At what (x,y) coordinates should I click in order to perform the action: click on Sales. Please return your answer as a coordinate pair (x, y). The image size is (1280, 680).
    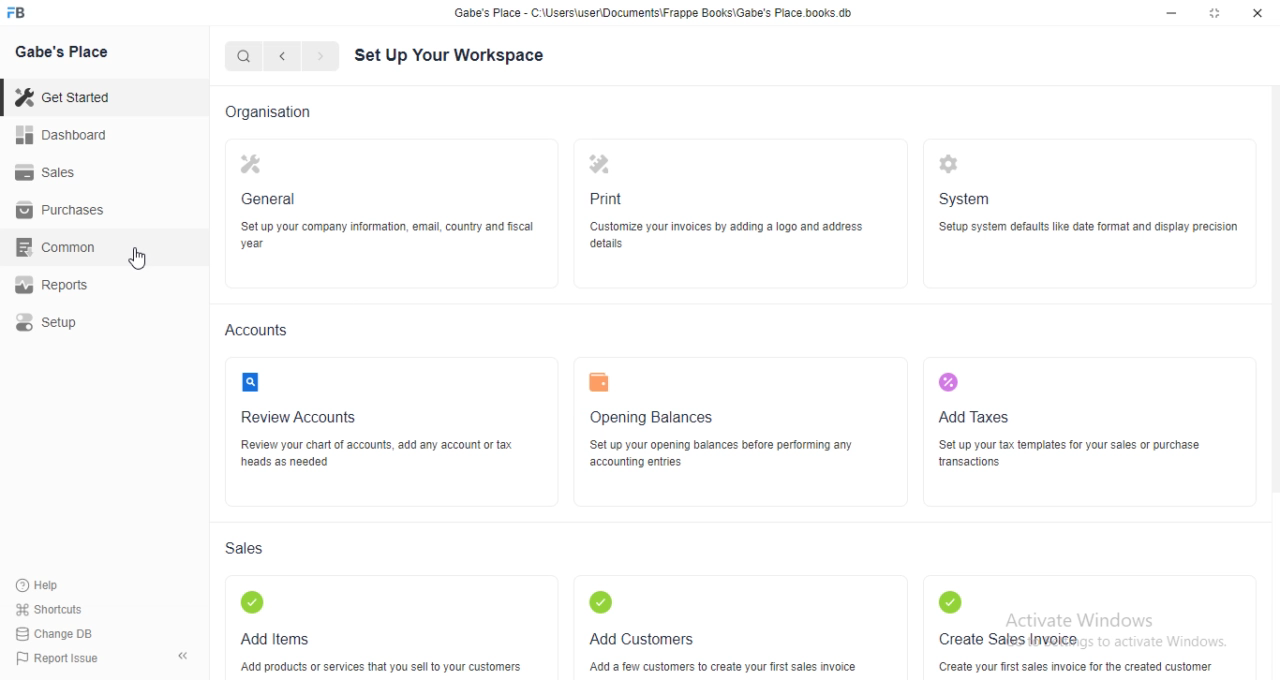
    Looking at the image, I should click on (49, 174).